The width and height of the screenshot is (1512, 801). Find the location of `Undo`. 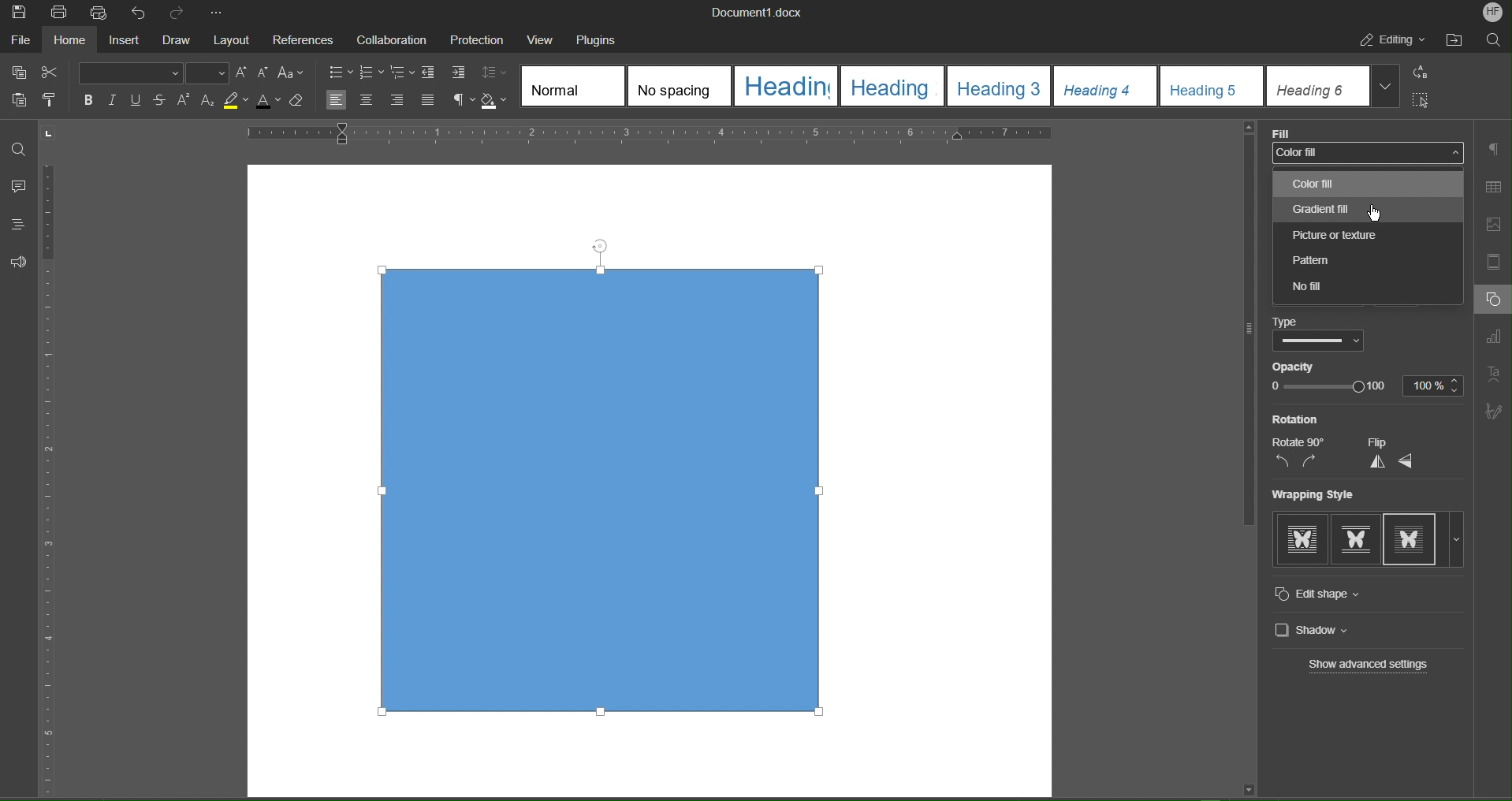

Undo is located at coordinates (140, 13).